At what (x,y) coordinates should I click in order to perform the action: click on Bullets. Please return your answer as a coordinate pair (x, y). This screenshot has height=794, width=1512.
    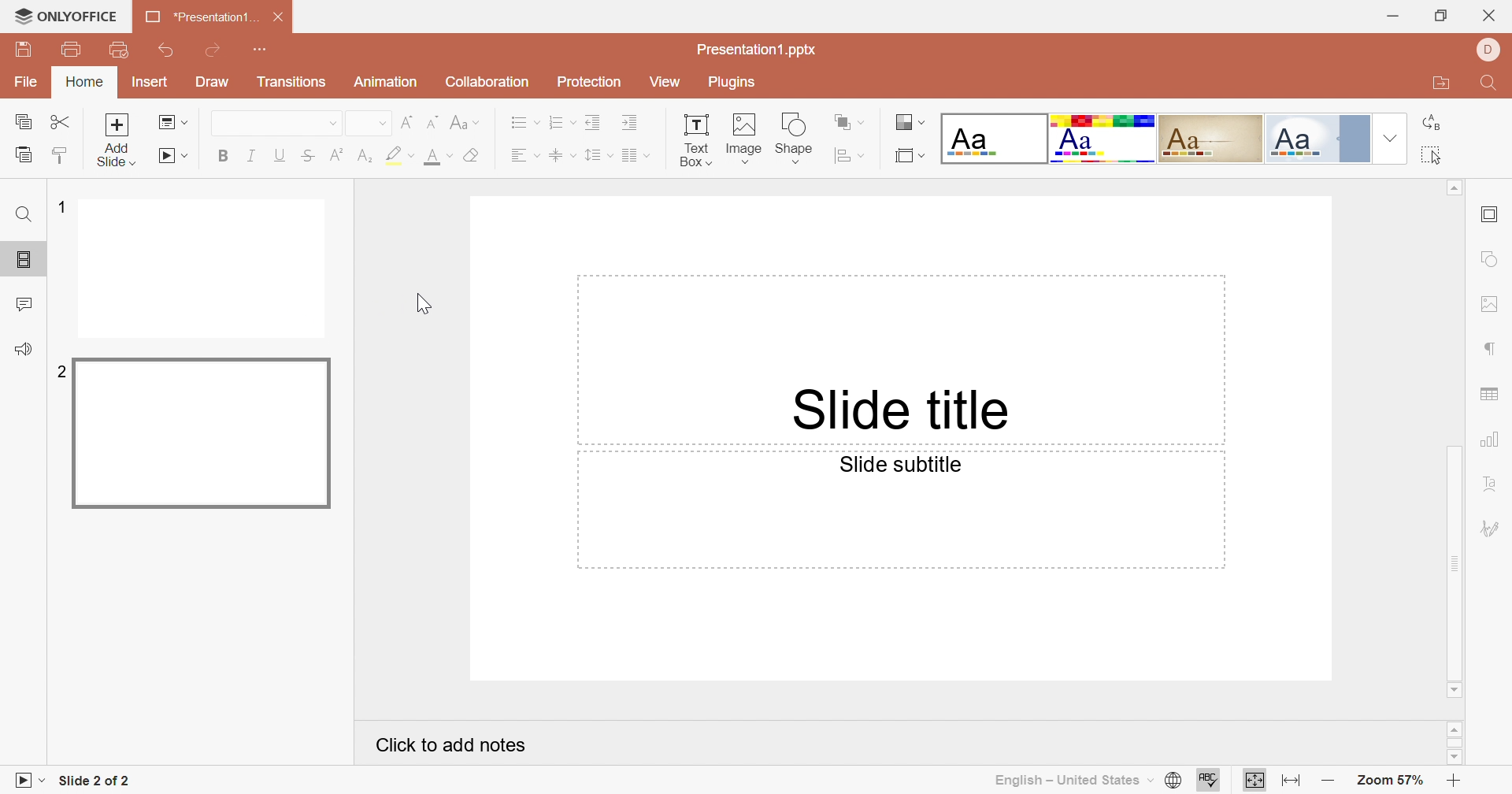
    Looking at the image, I should click on (517, 123).